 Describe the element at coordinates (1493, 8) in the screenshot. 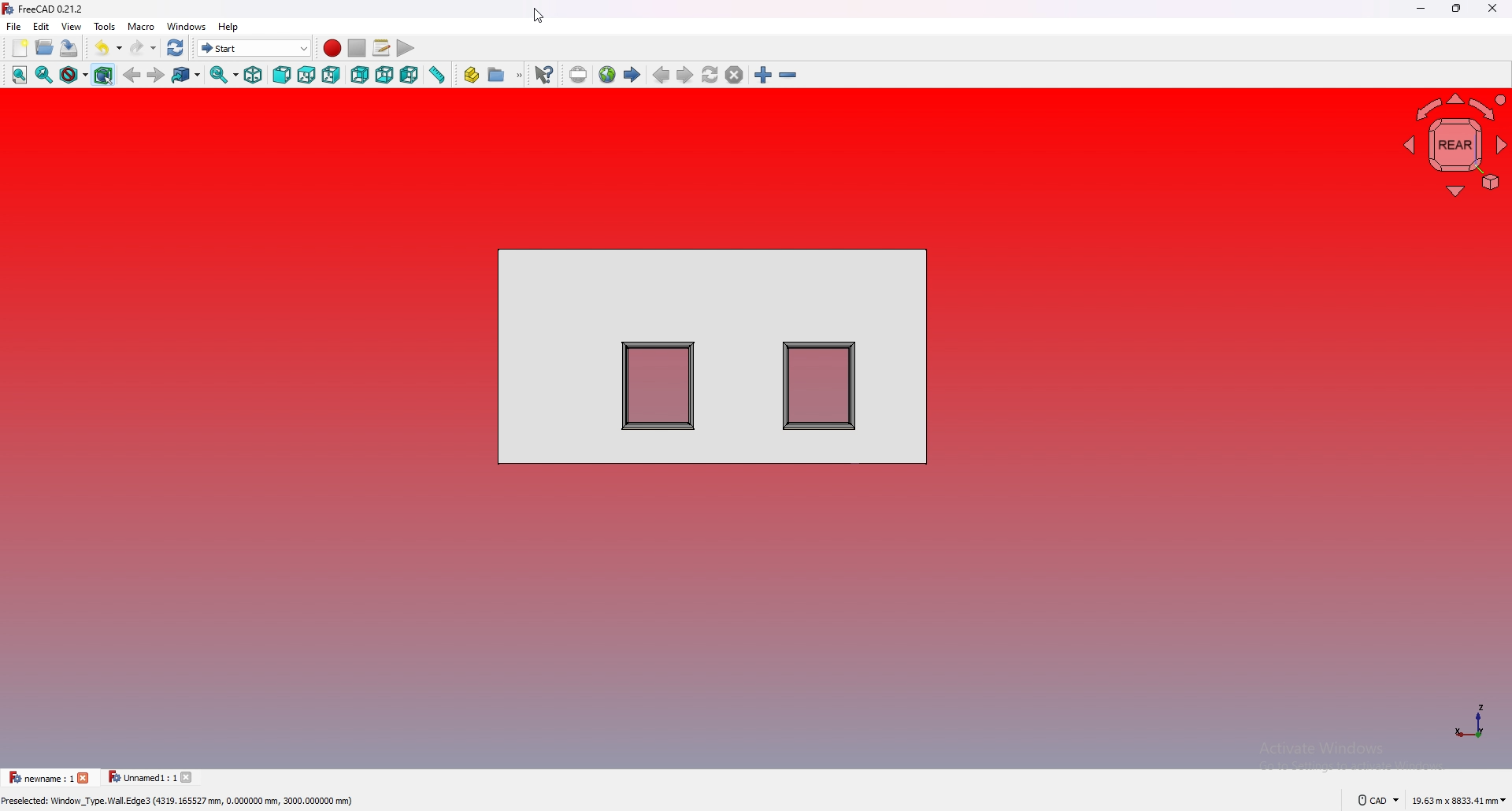

I see `close` at that location.